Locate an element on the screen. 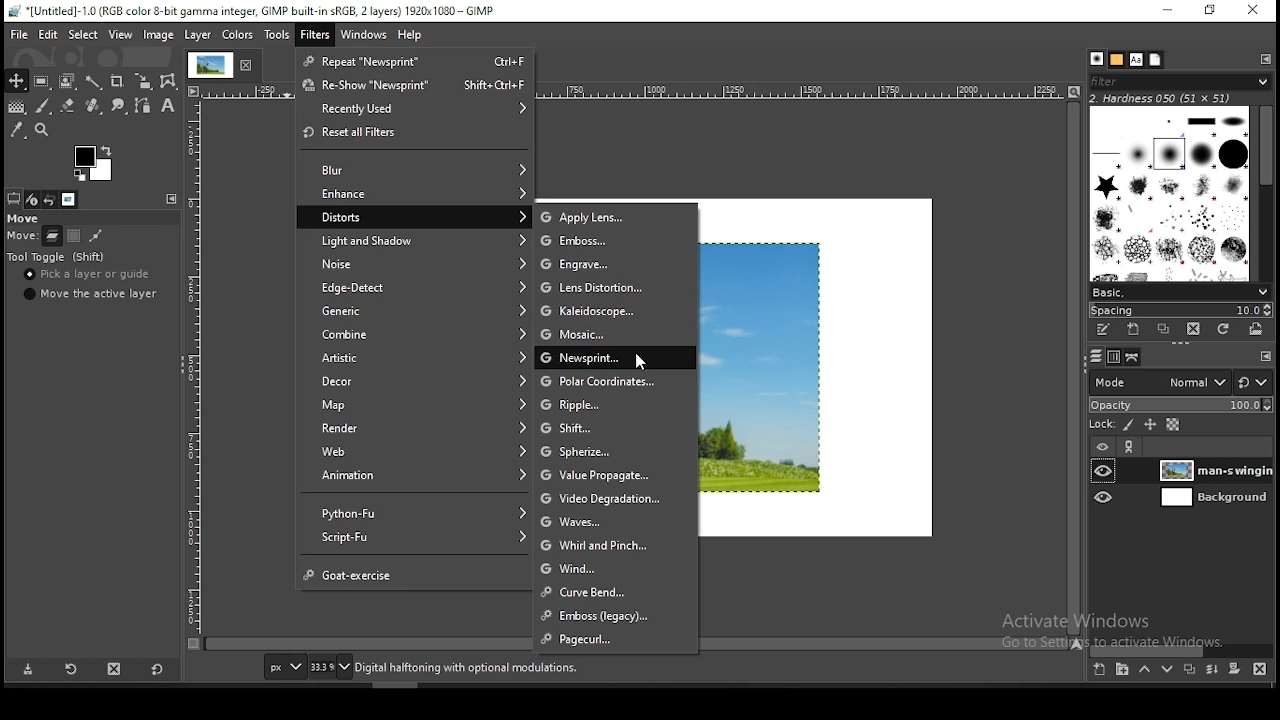  zoom tool is located at coordinates (41, 129).